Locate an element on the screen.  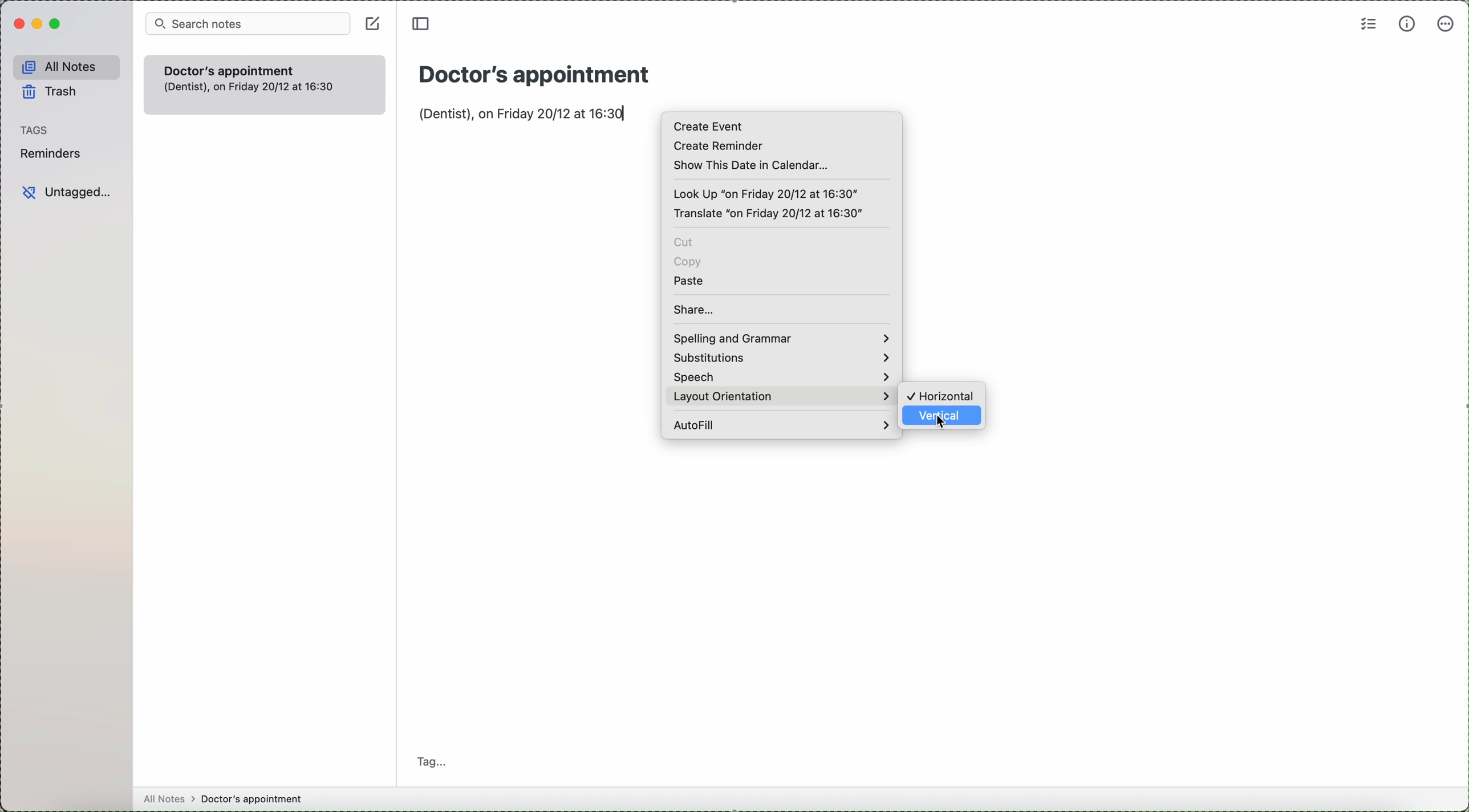
search notes is located at coordinates (249, 23).